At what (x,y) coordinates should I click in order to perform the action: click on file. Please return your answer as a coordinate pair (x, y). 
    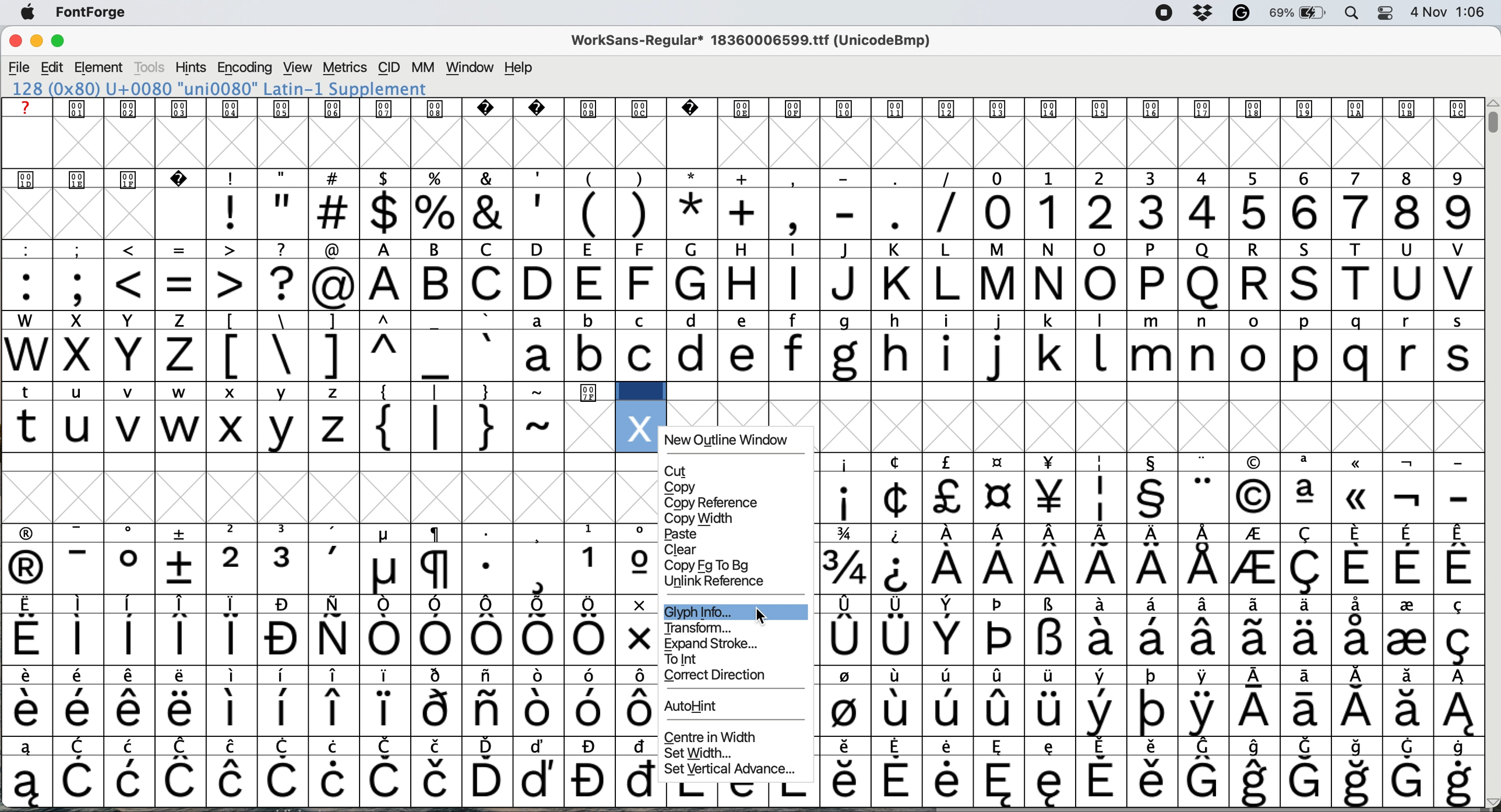
    Looking at the image, I should click on (19, 66).